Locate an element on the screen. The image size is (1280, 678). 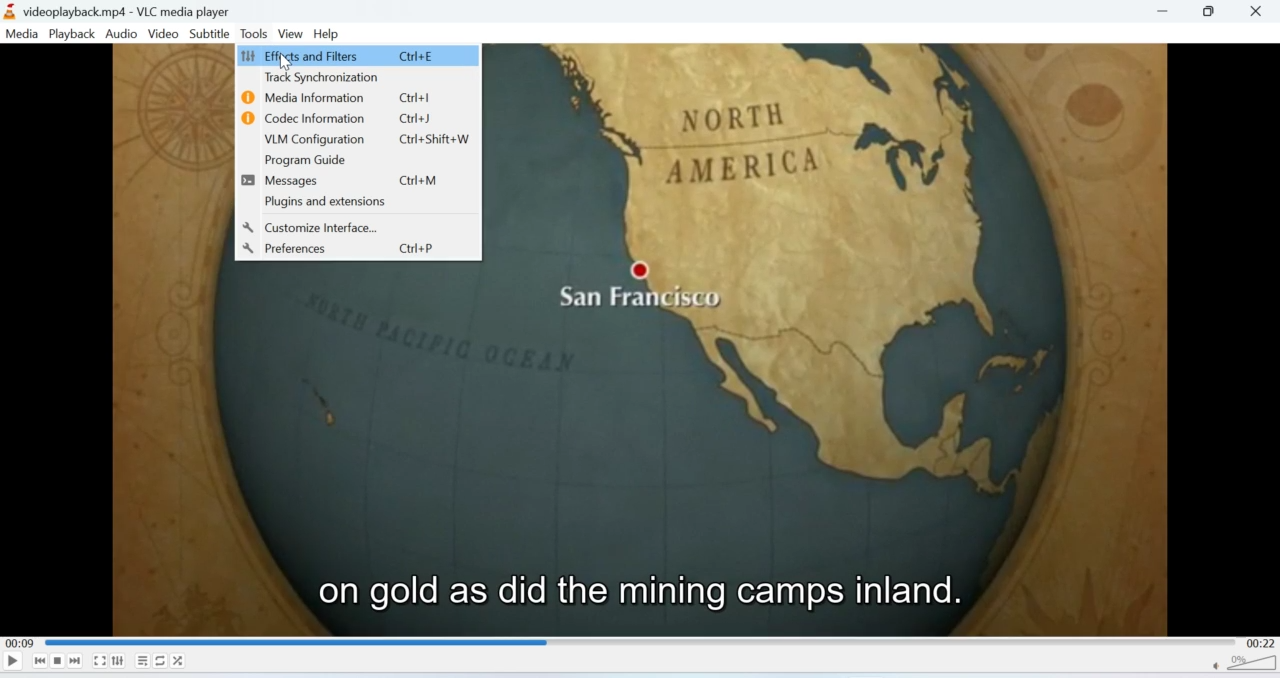
Shuffle is located at coordinates (179, 661).